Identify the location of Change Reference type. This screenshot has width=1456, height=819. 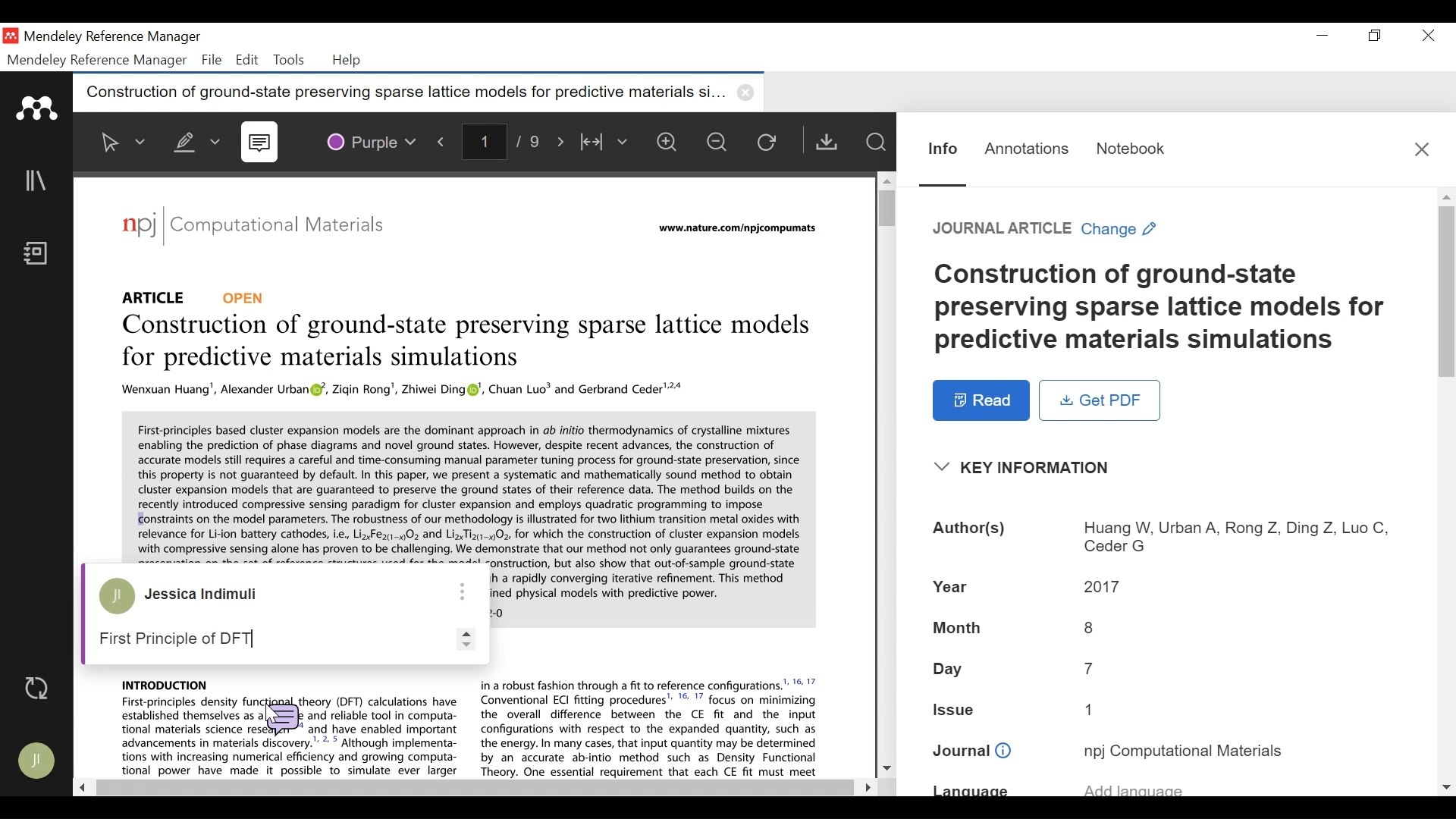
(1047, 230).